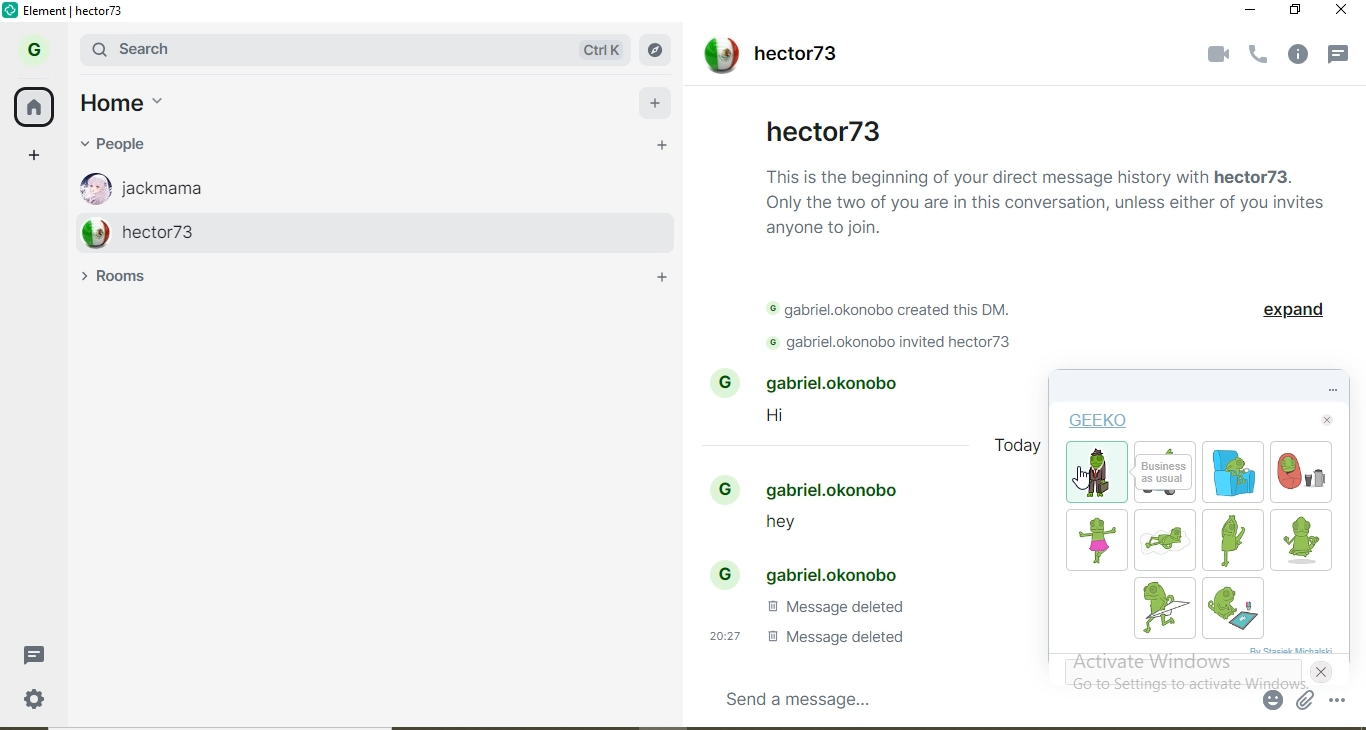  What do you see at coordinates (1046, 199) in the screenshot?
I see `text 1` at bounding box center [1046, 199].